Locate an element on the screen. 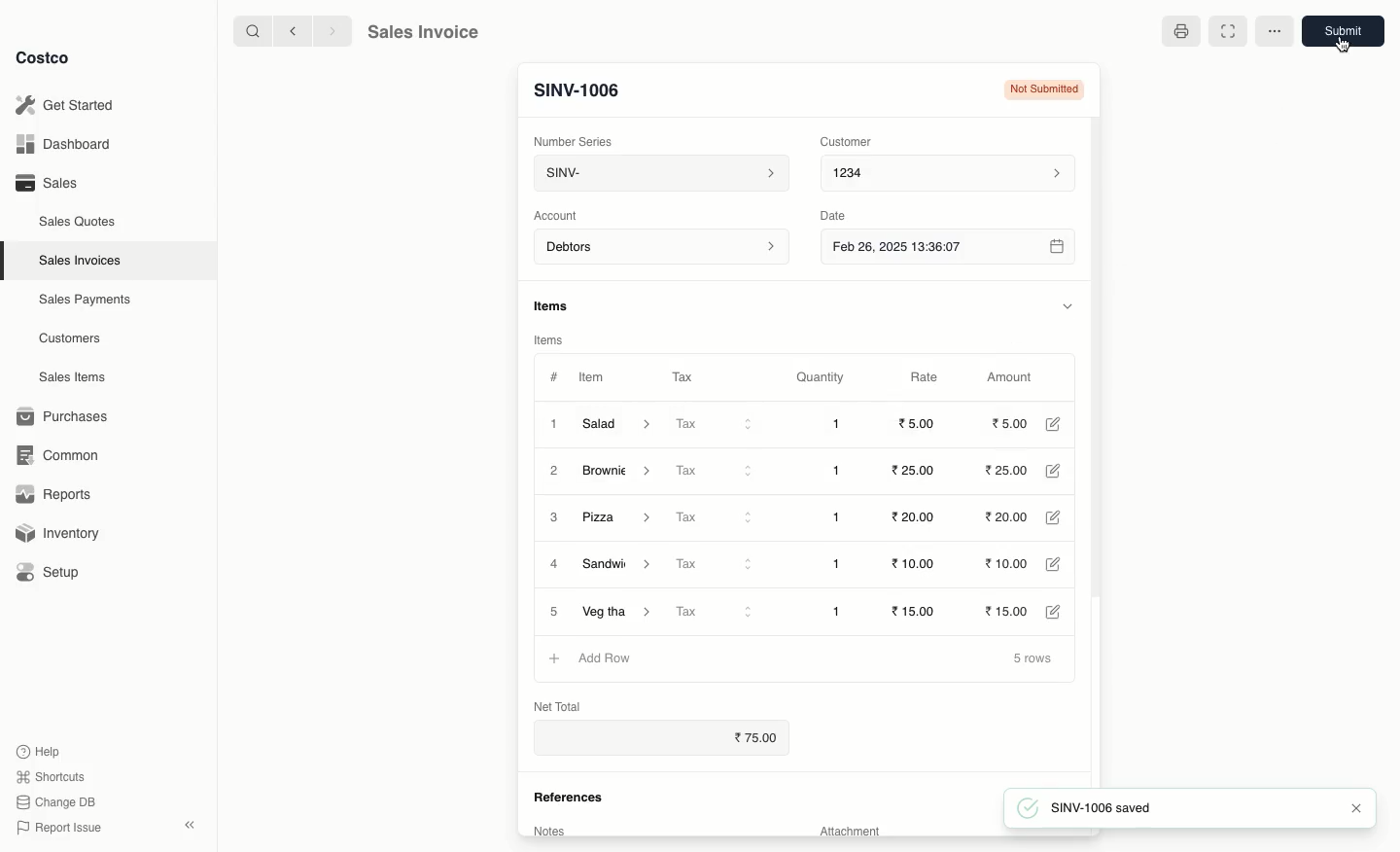  25.00 is located at coordinates (1005, 470).